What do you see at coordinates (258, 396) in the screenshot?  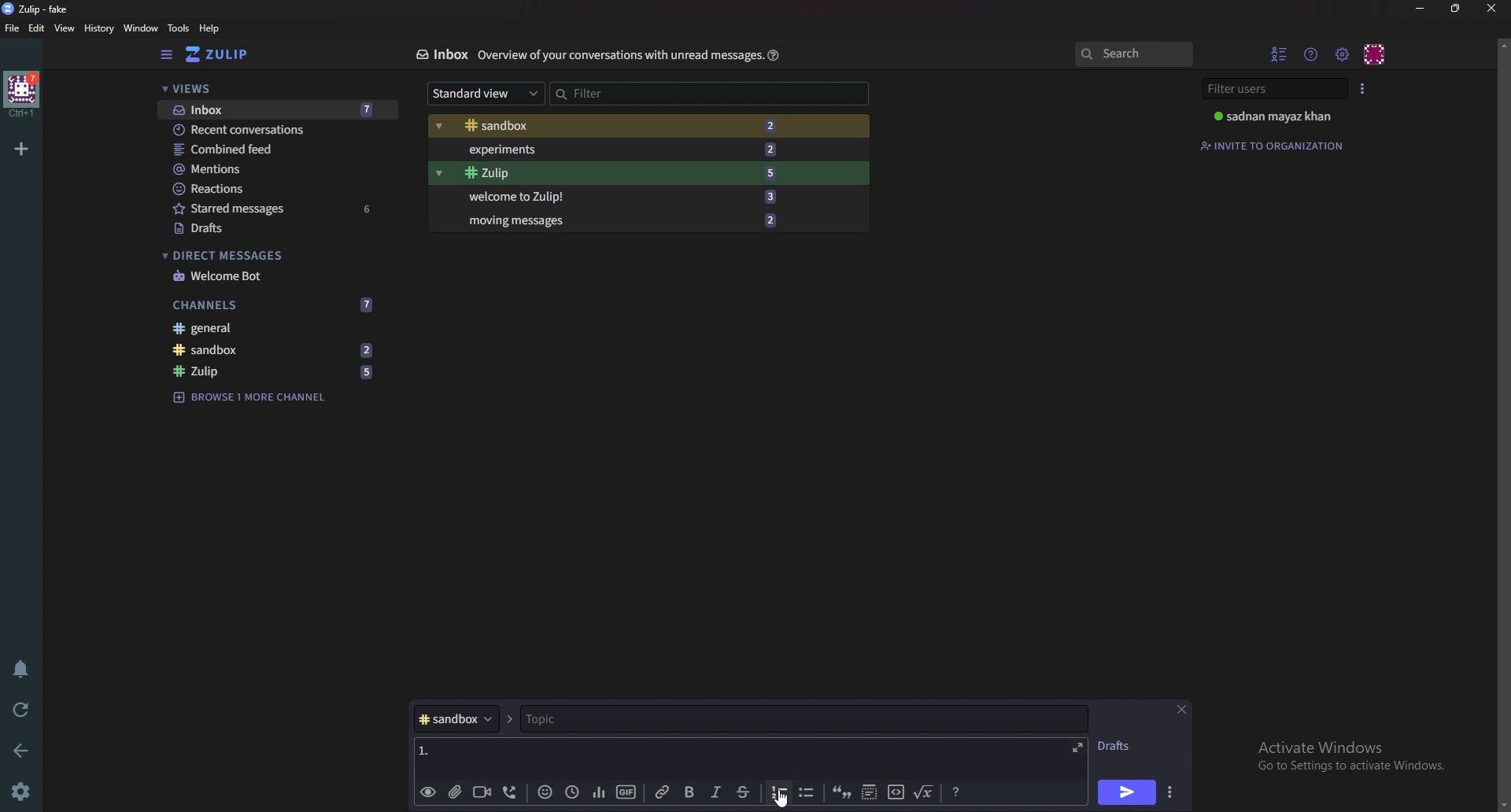 I see `Browse channel` at bounding box center [258, 396].